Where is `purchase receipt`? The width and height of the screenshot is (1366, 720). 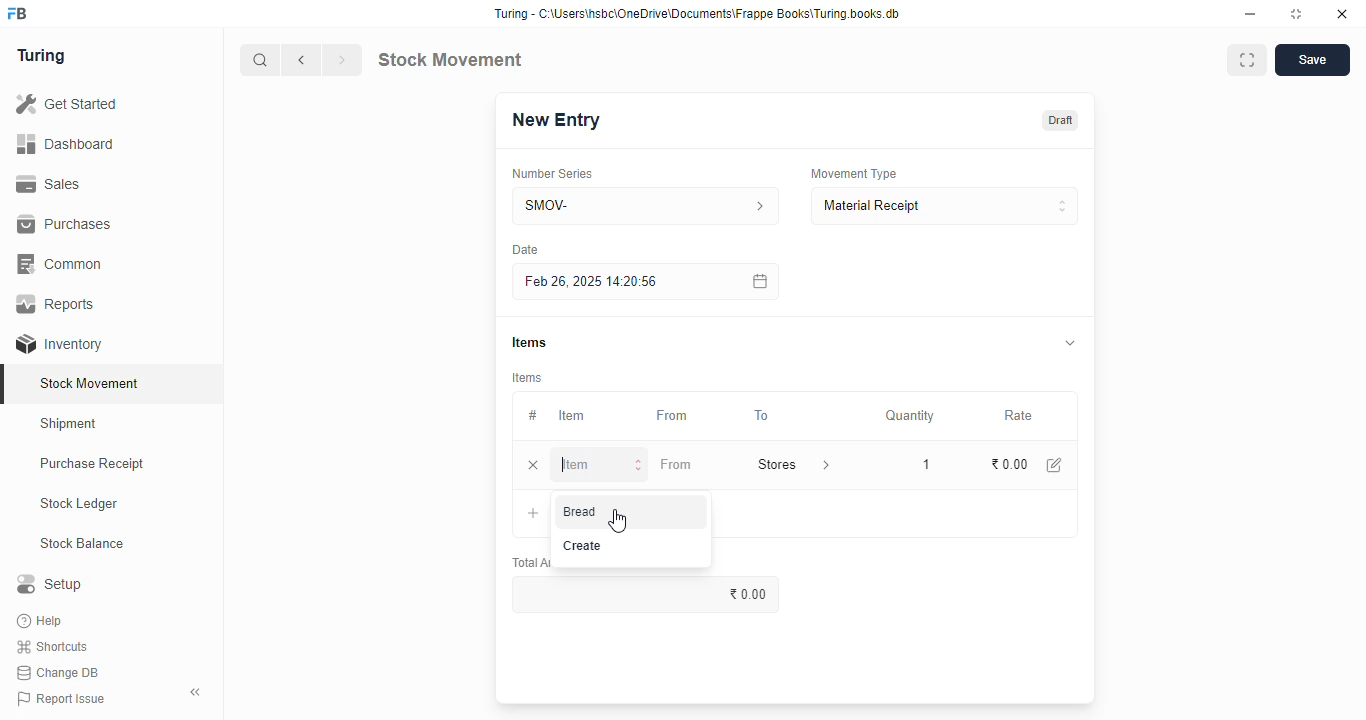 purchase receipt is located at coordinates (92, 463).